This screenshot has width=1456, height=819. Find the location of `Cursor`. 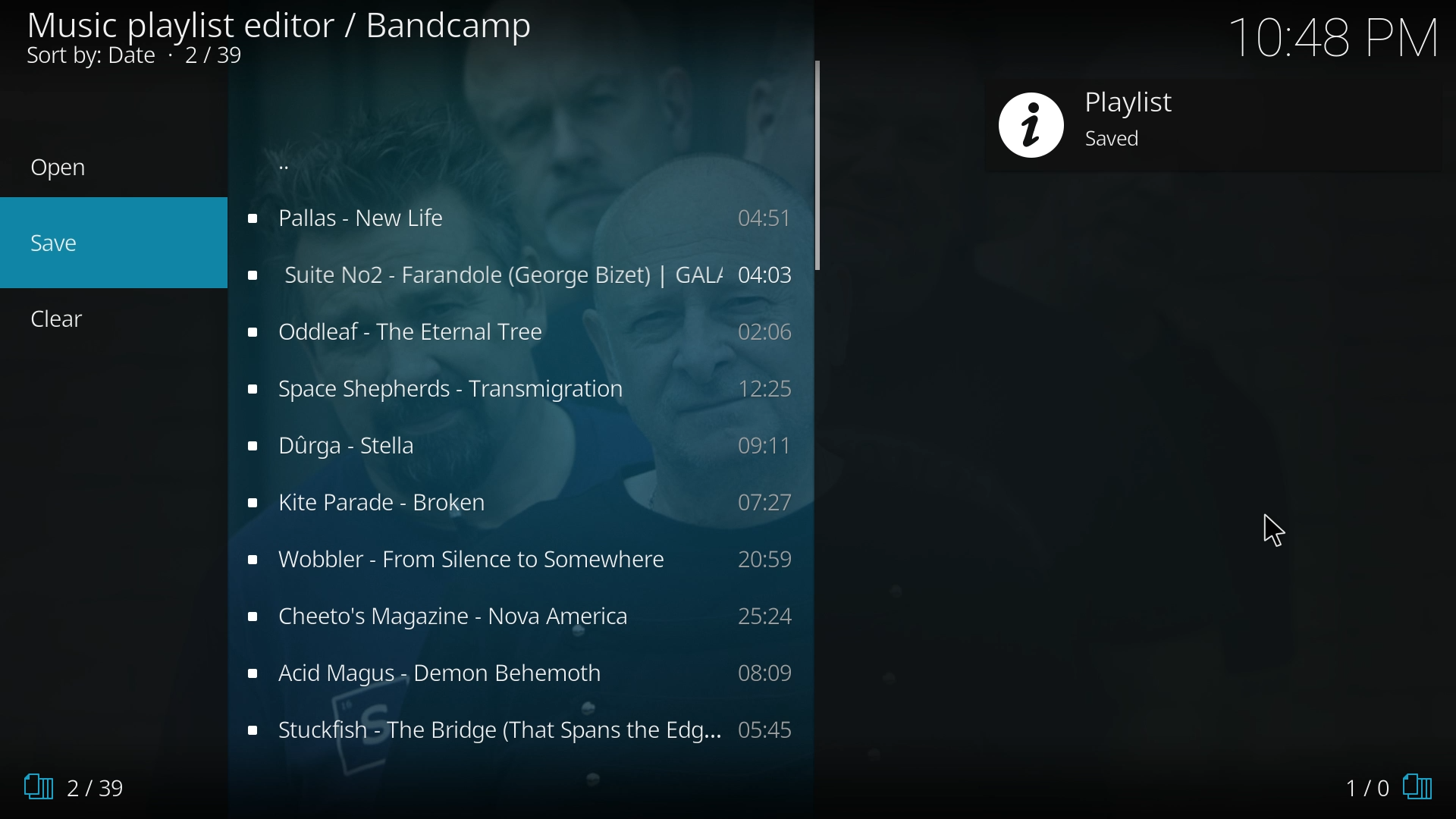

Cursor is located at coordinates (1282, 534).